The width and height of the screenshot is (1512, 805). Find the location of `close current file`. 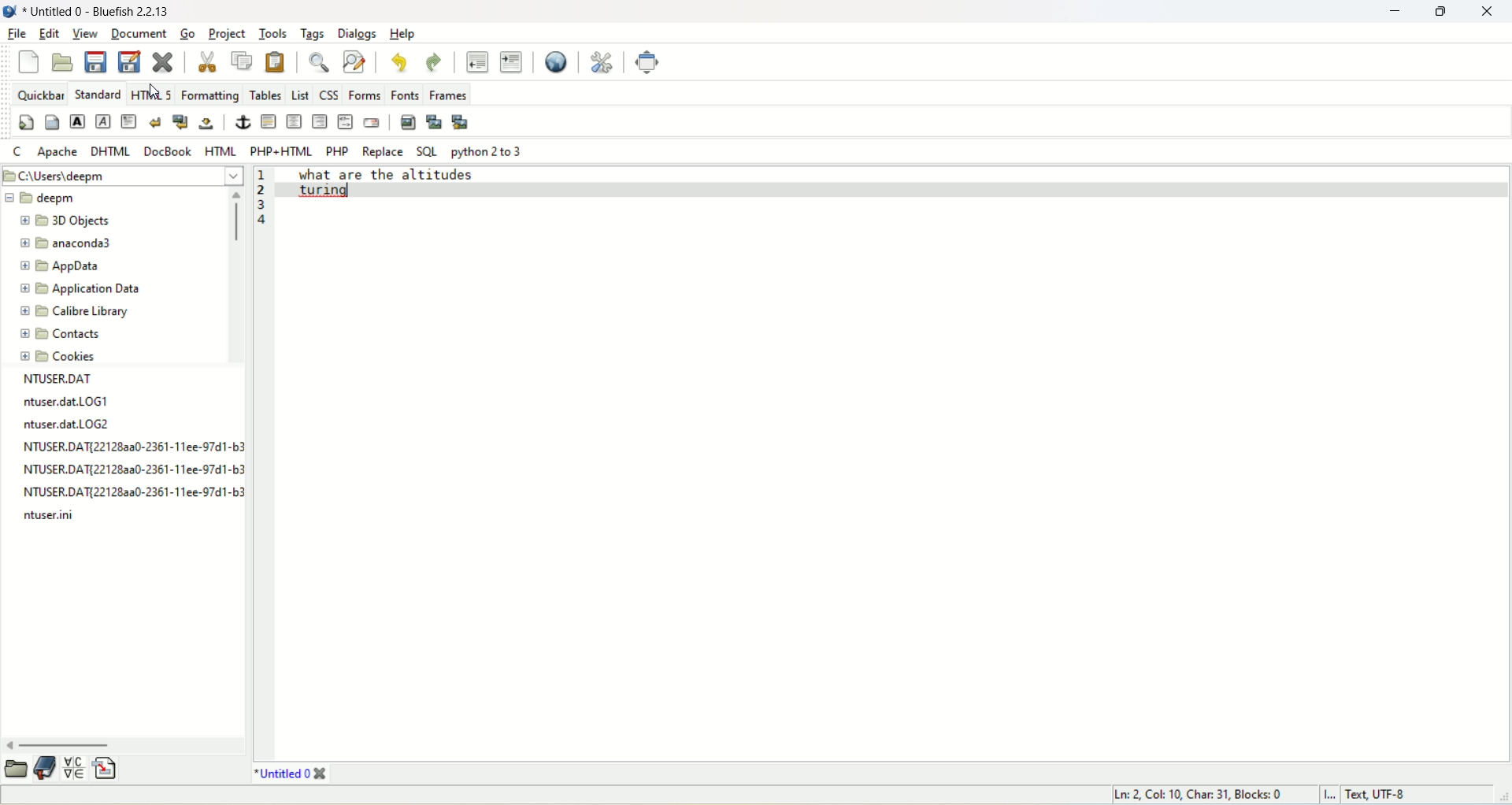

close current file is located at coordinates (162, 63).